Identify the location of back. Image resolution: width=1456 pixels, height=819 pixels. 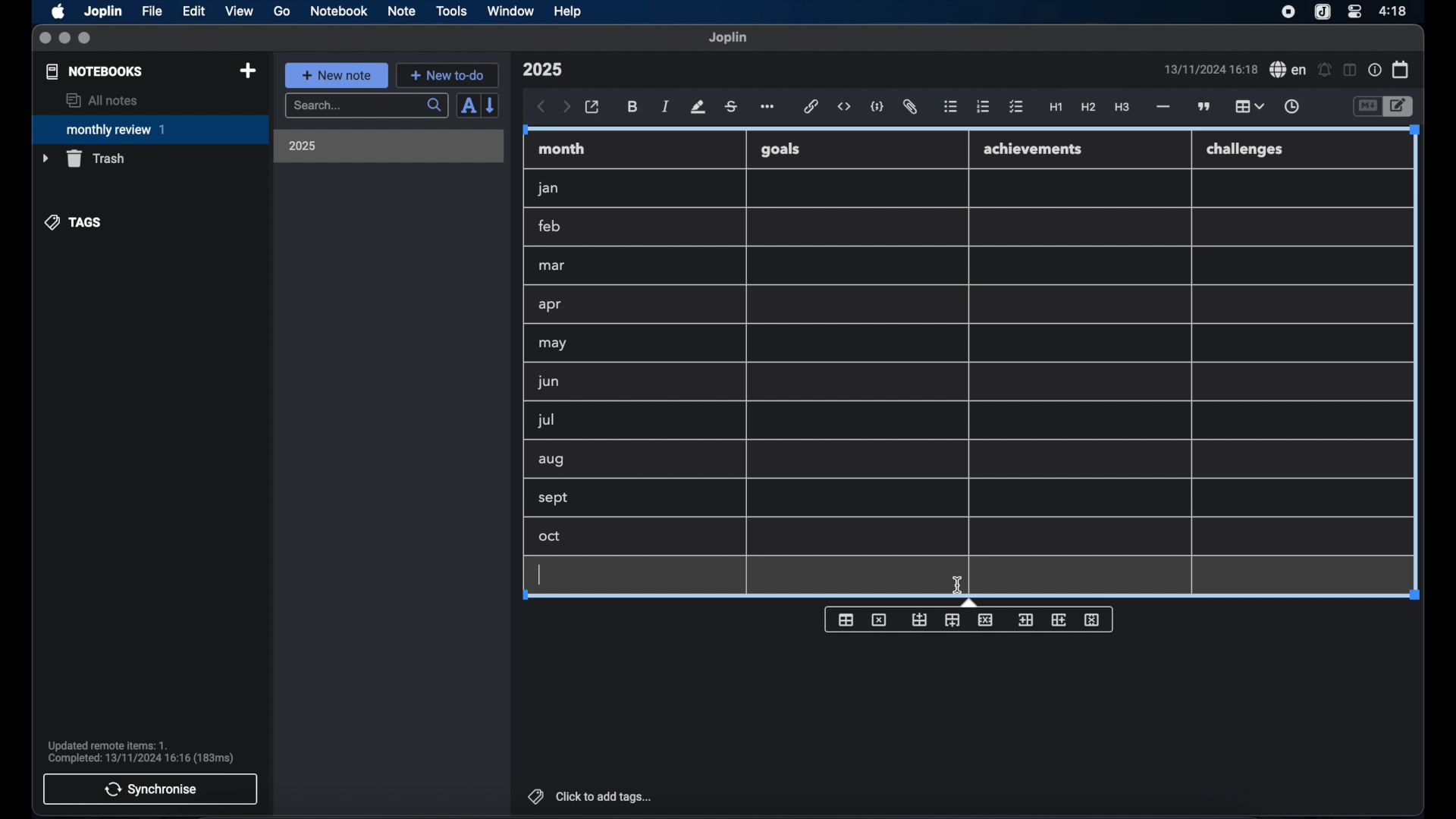
(541, 107).